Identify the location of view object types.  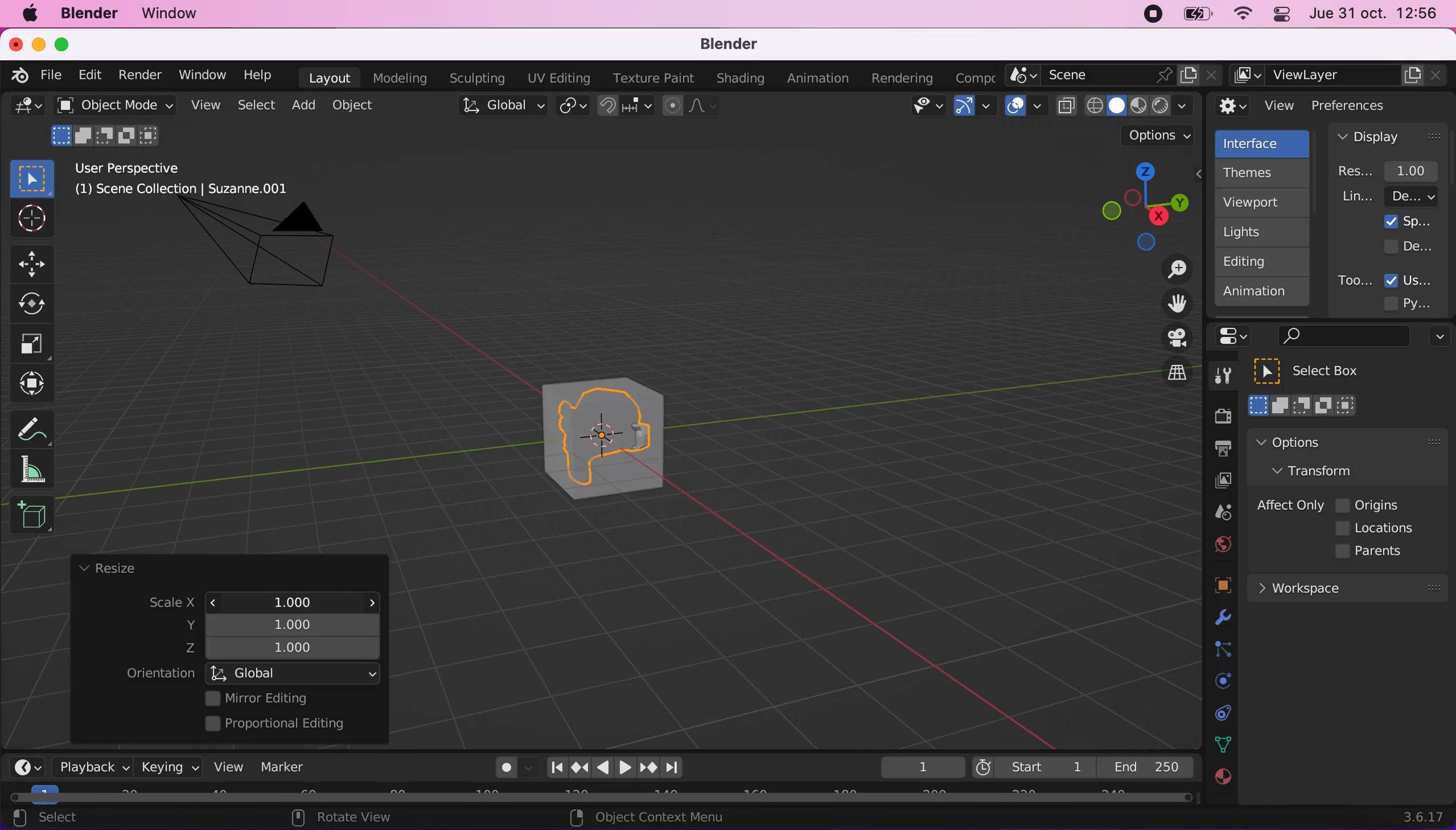
(925, 108).